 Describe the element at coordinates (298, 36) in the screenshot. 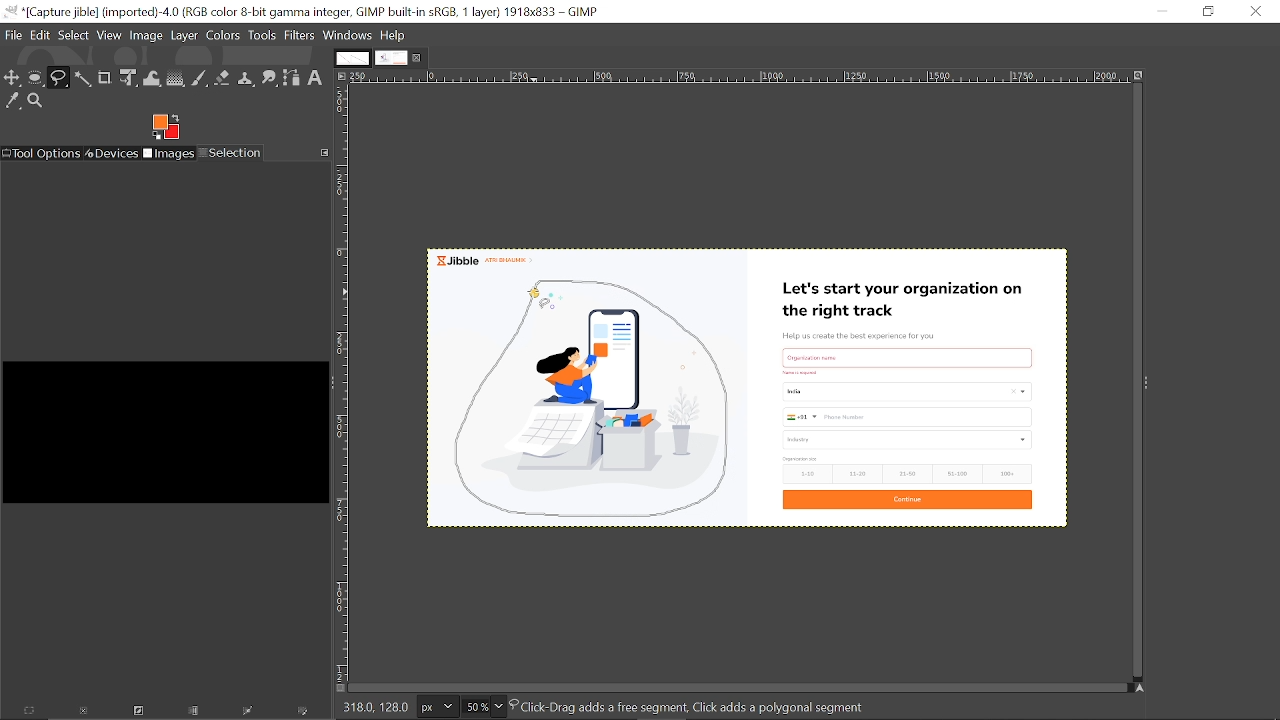

I see `Filters` at that location.